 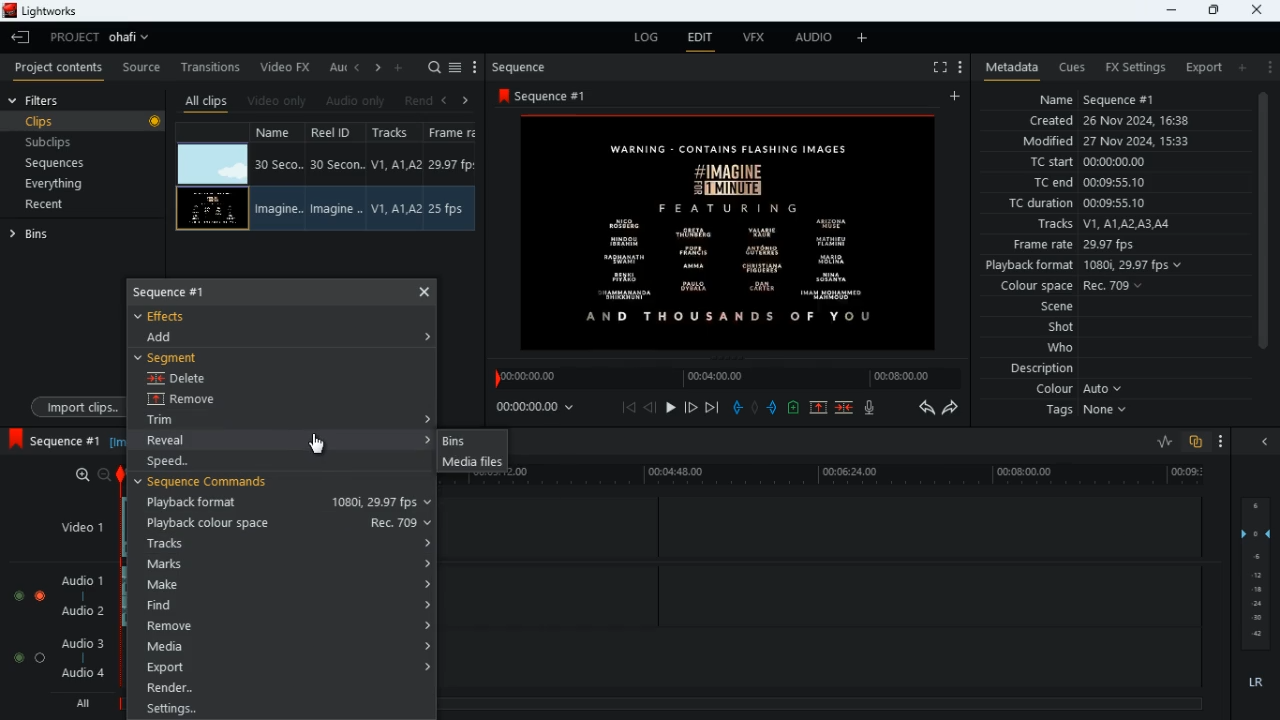 What do you see at coordinates (1250, 683) in the screenshot?
I see `lr` at bounding box center [1250, 683].